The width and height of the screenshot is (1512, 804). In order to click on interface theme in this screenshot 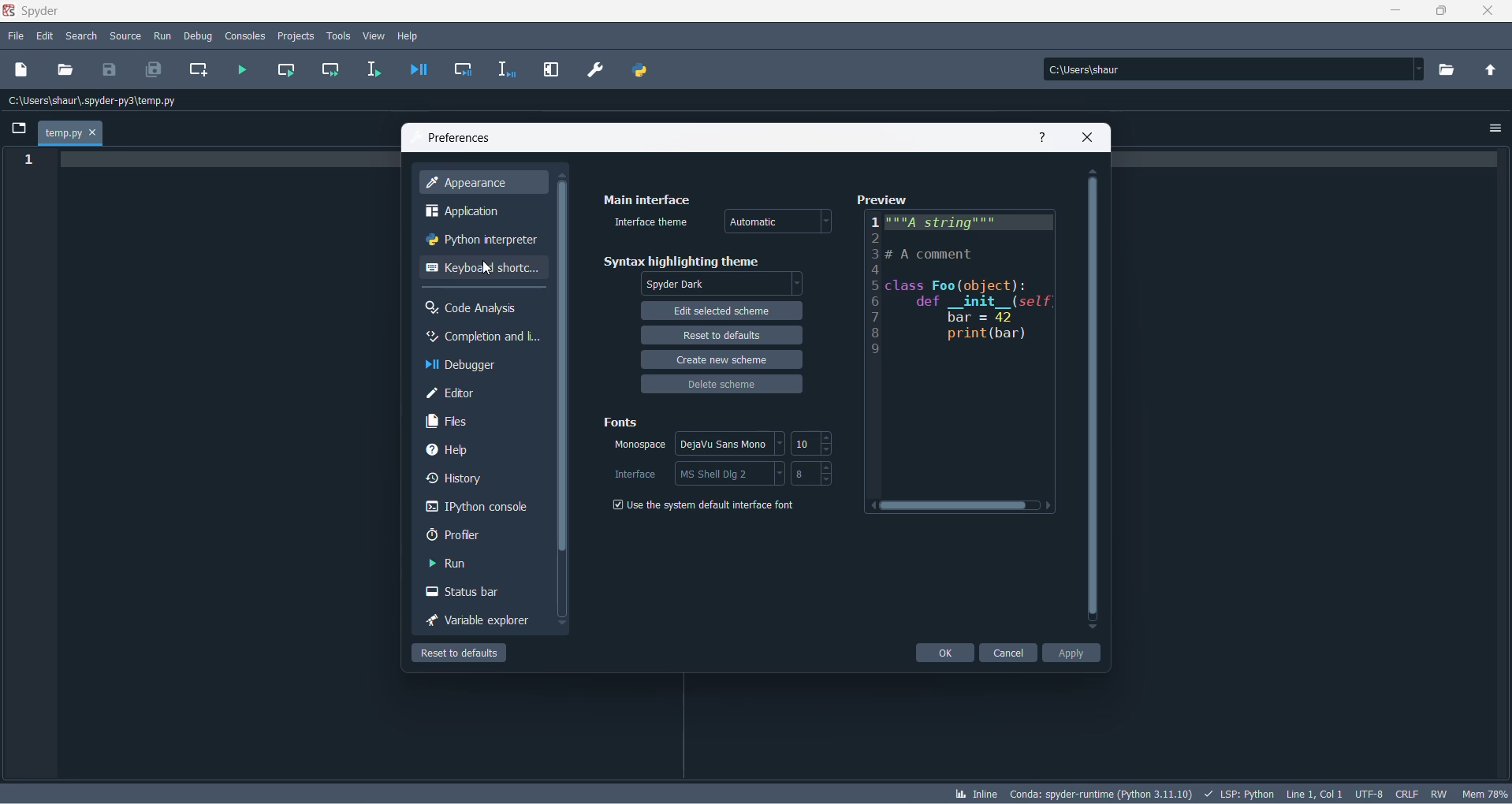, I will do `click(654, 223)`.